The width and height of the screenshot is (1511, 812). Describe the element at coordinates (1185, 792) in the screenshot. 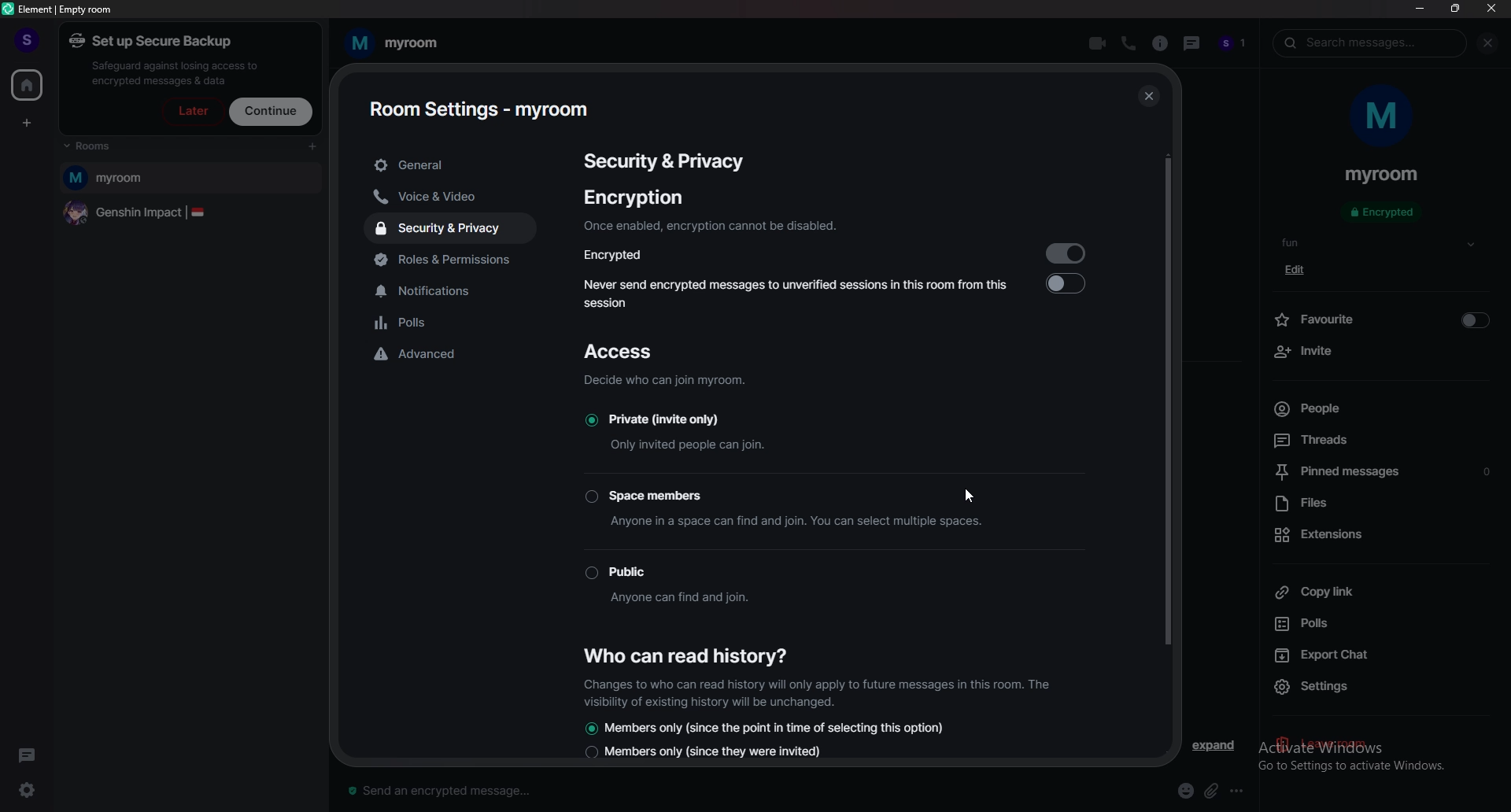

I see `emoji` at that location.